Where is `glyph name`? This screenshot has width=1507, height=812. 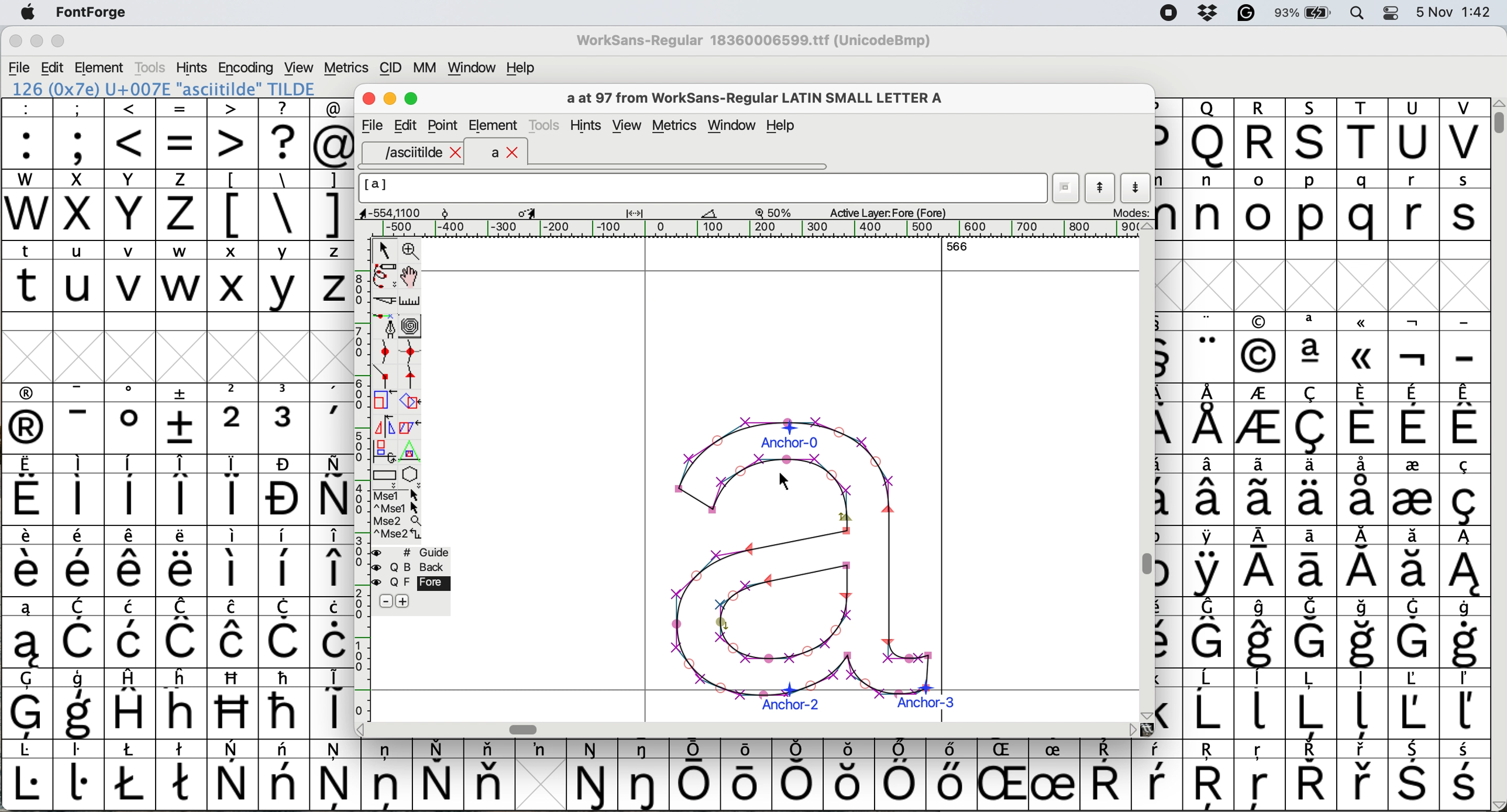 glyph name is located at coordinates (701, 188).